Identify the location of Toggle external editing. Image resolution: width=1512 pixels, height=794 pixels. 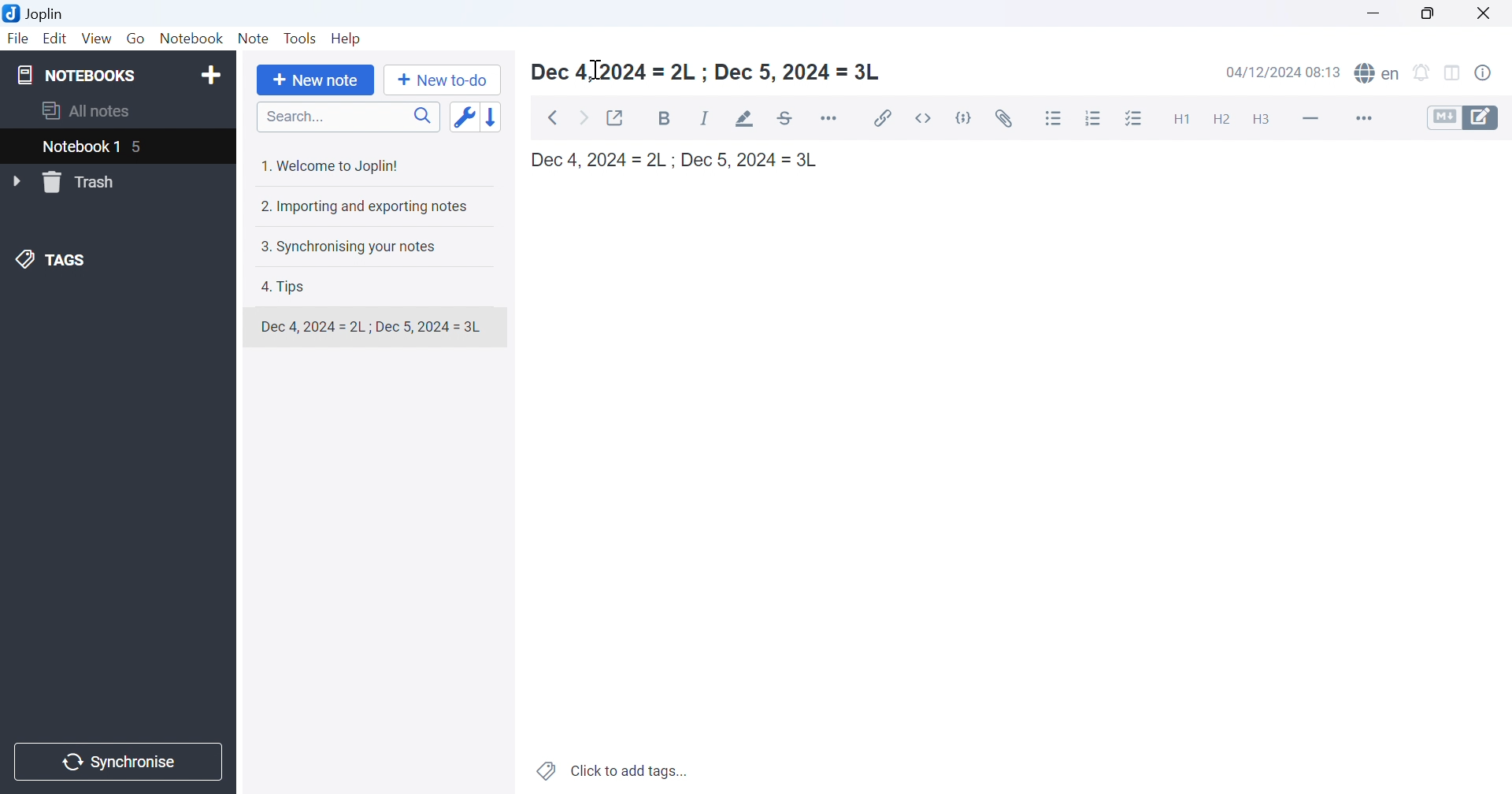
(618, 117).